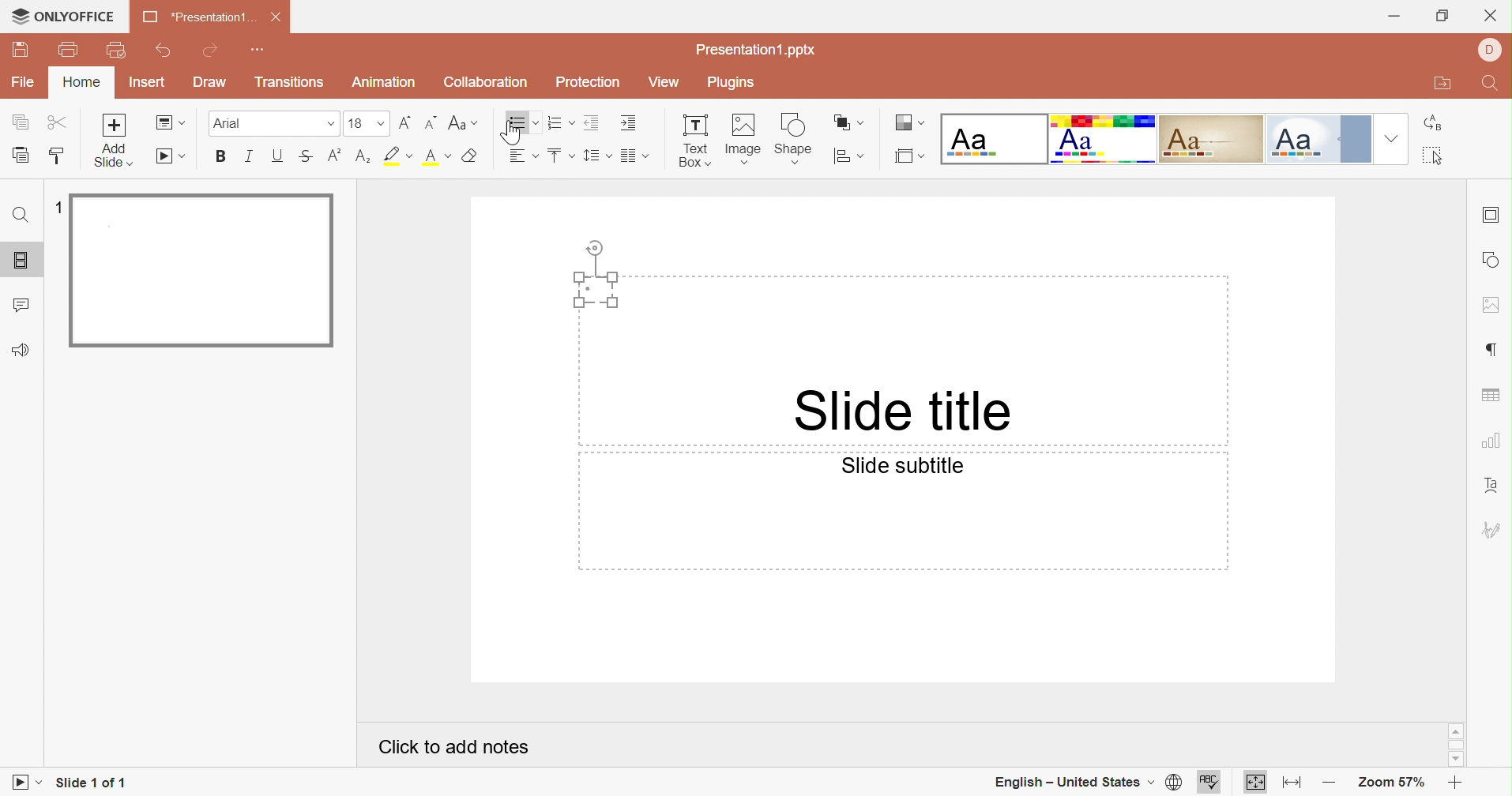 Image resolution: width=1512 pixels, height=796 pixels. What do you see at coordinates (591, 83) in the screenshot?
I see `Protection` at bounding box center [591, 83].